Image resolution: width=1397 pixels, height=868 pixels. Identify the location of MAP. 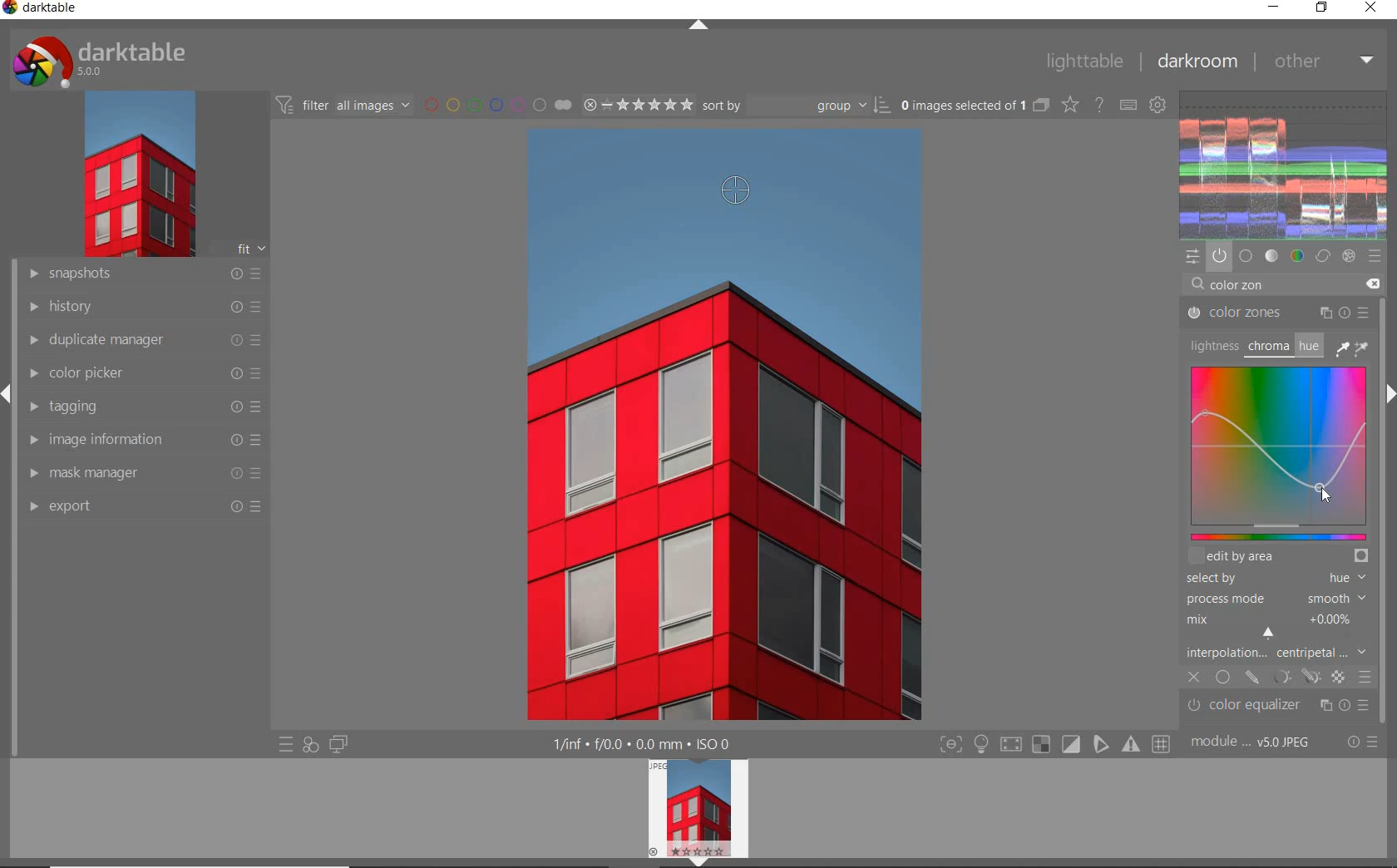
(1277, 452).